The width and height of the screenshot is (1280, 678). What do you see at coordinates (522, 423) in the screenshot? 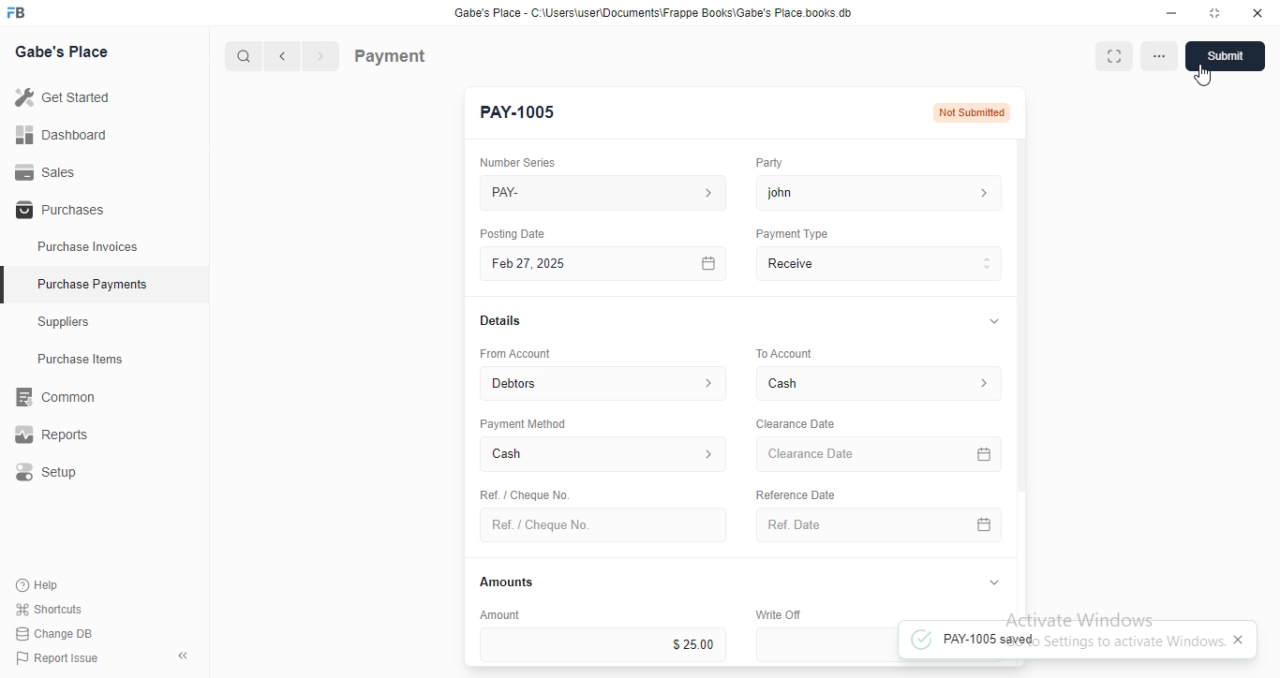
I see `‘Payment Method` at bounding box center [522, 423].